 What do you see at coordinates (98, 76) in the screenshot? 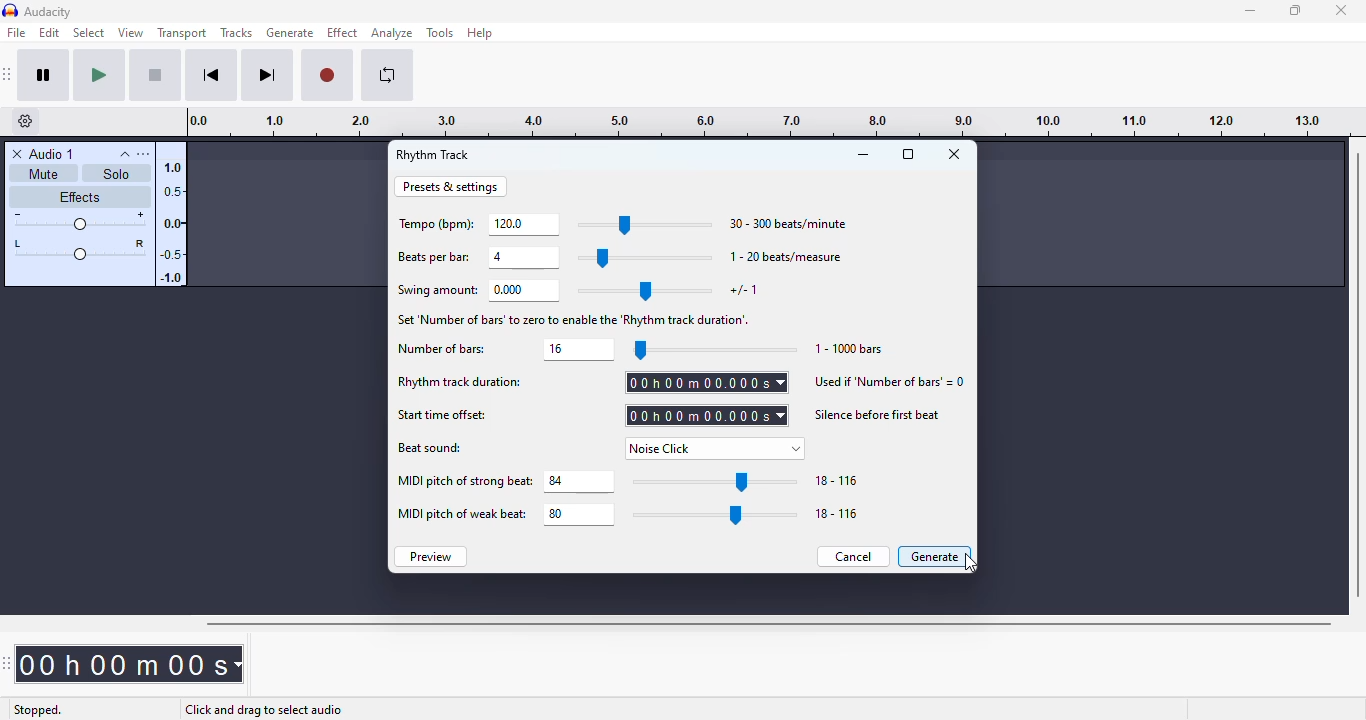
I see `play` at bounding box center [98, 76].